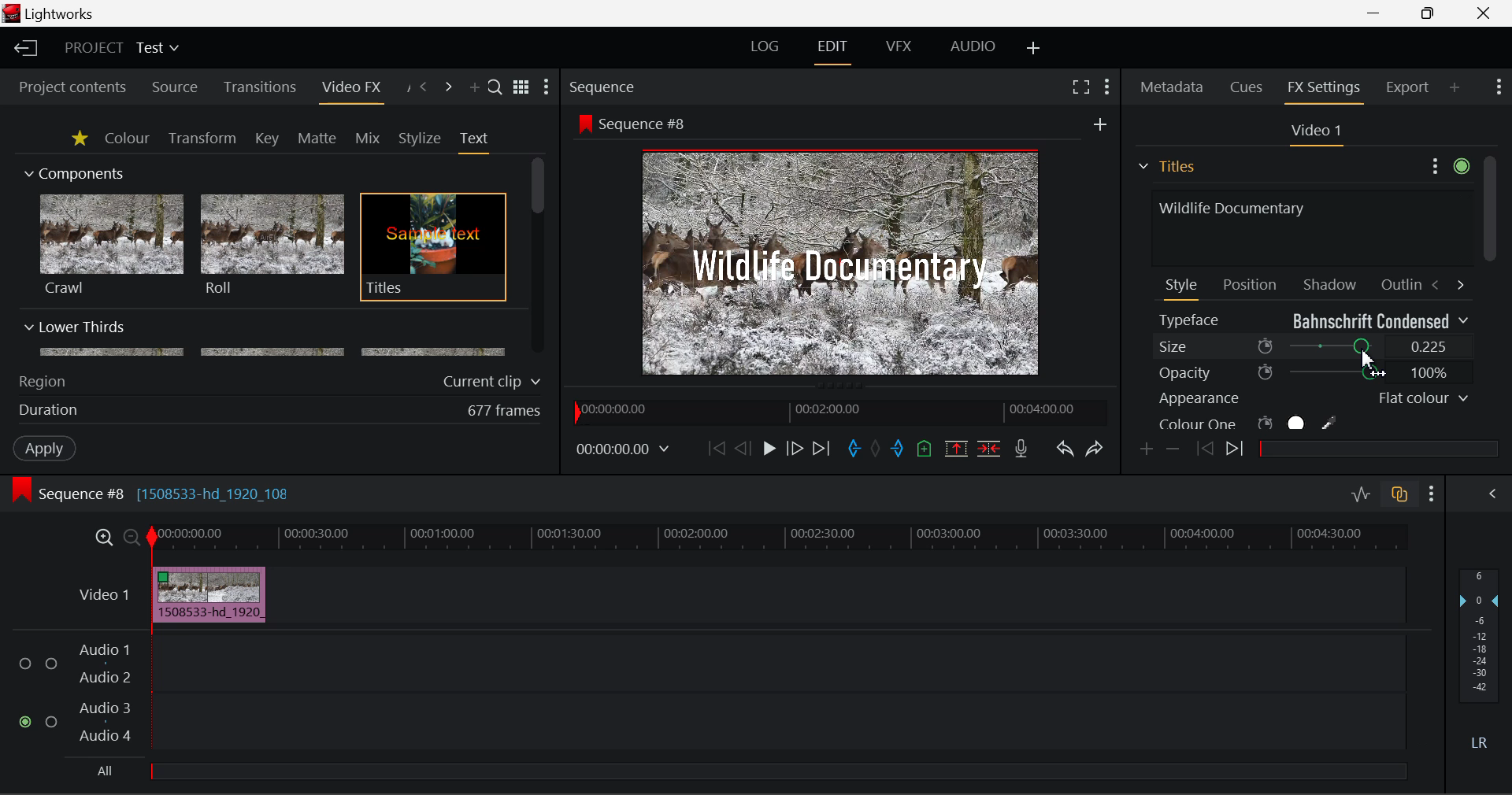 The image size is (1512, 795). I want to click on Play, so click(769, 448).